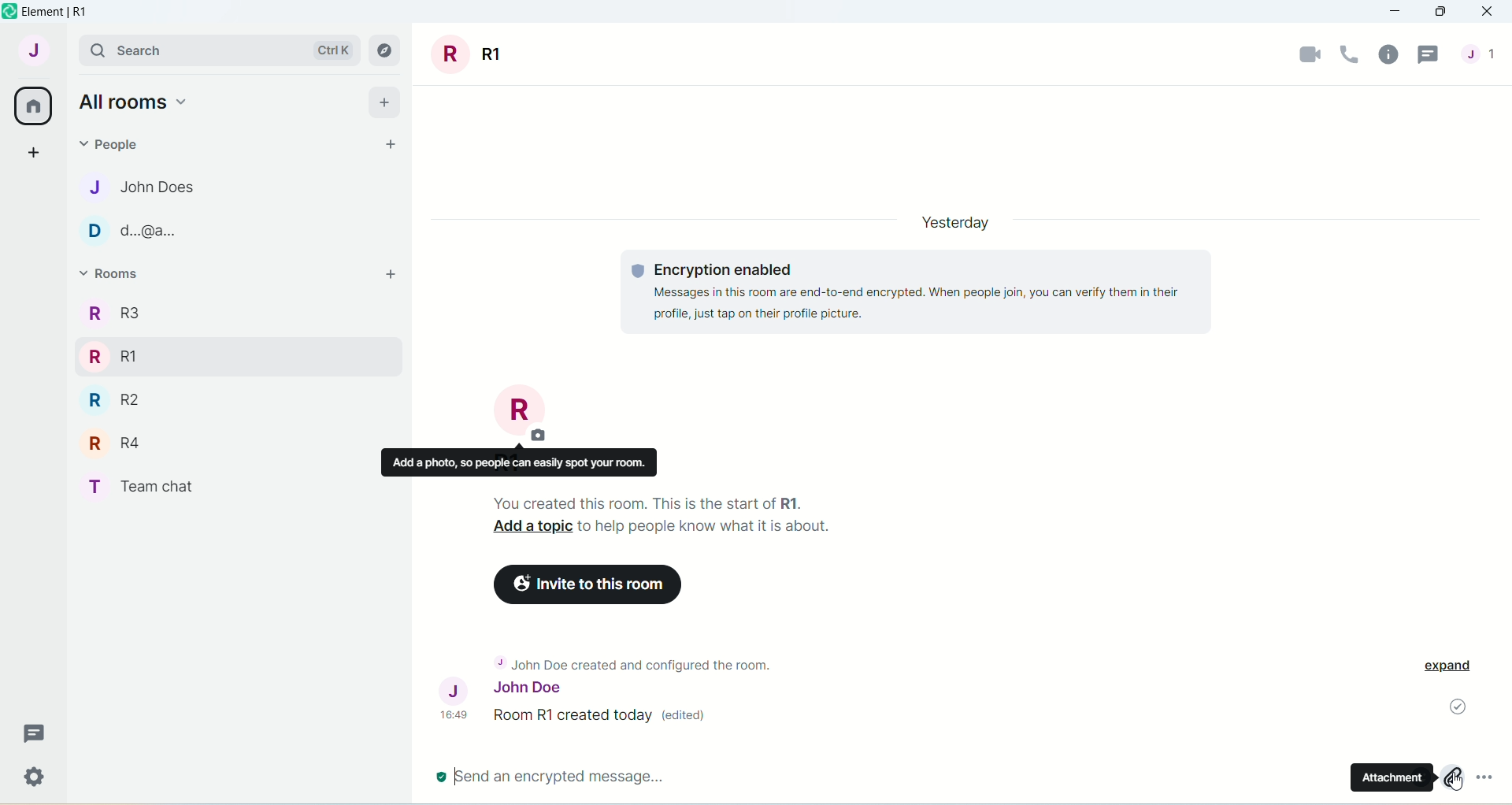 This screenshot has height=805, width=1512. Describe the element at coordinates (384, 51) in the screenshot. I see `explore rooms` at that location.